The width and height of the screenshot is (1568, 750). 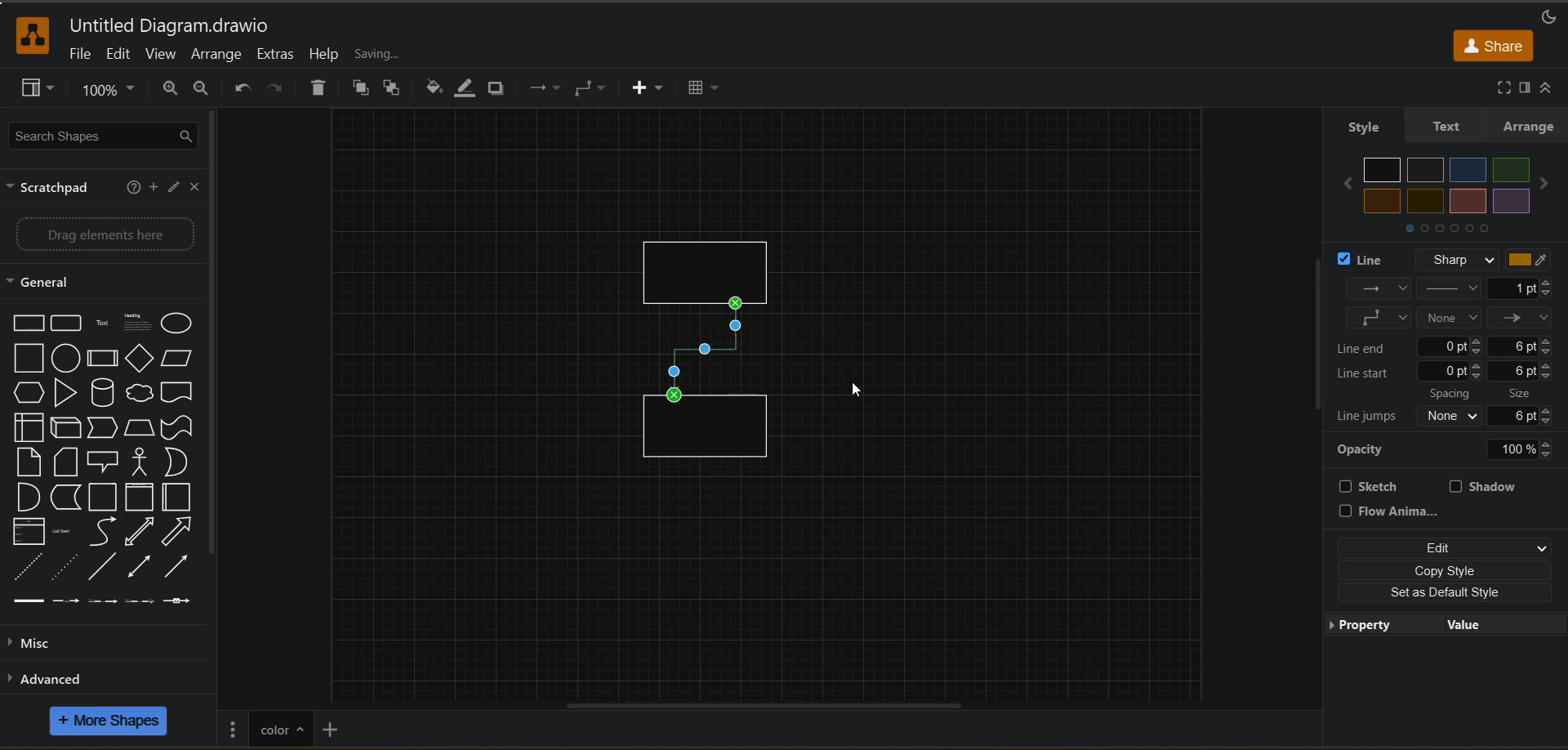 I want to click on format, so click(x=1523, y=88).